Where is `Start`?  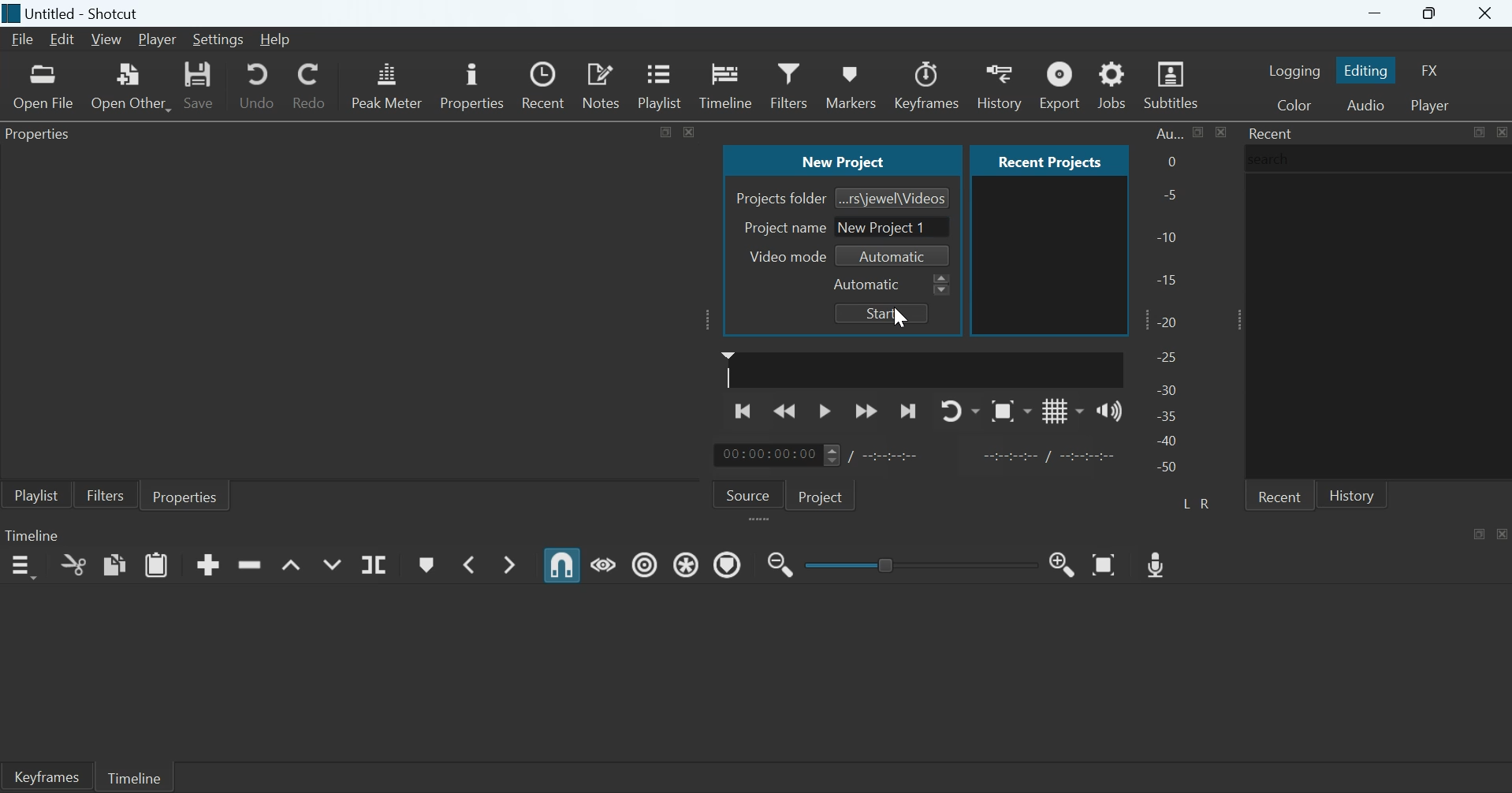
Start is located at coordinates (881, 313).